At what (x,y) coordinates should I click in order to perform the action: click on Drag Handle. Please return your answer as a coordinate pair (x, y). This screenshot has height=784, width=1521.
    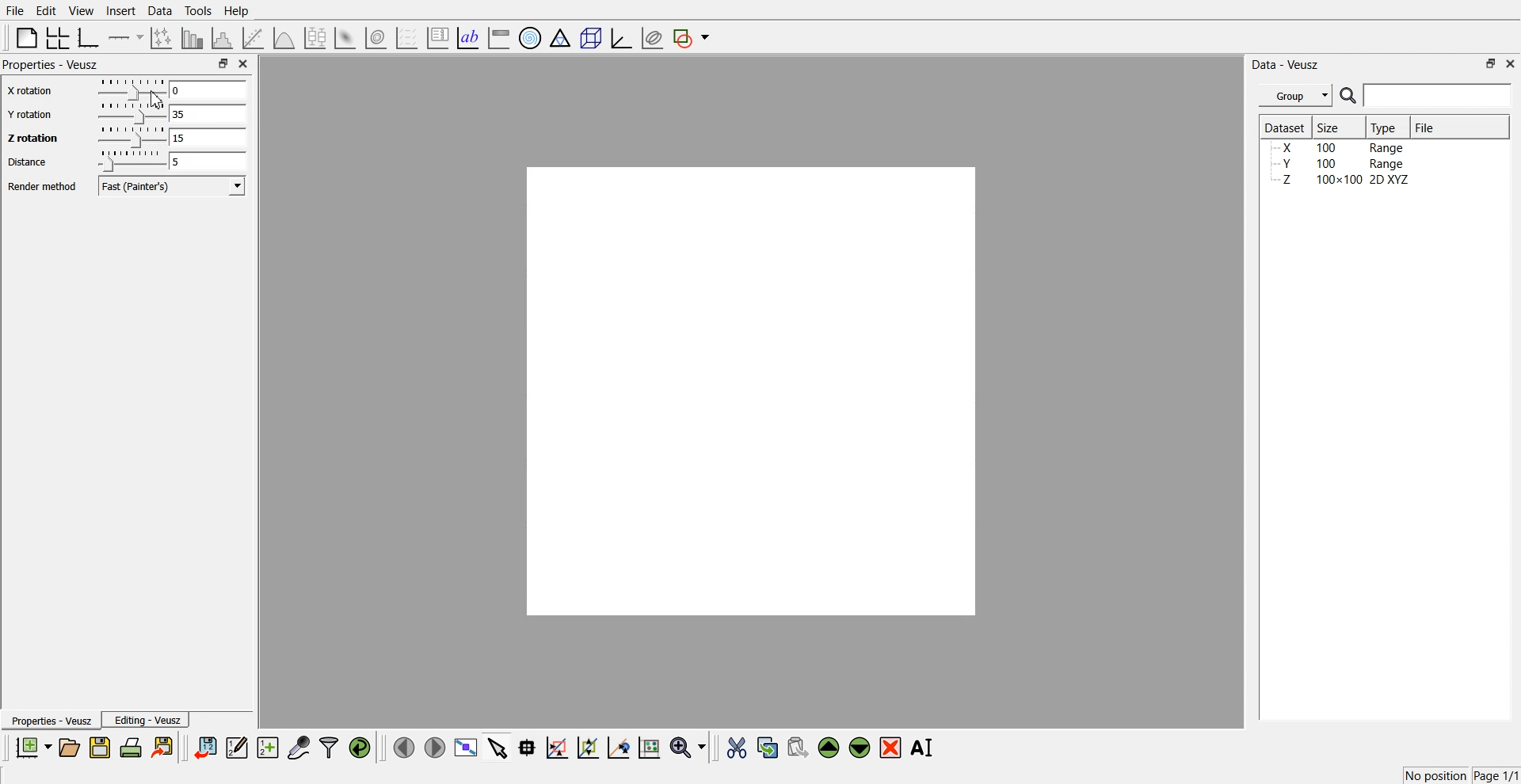
    Looking at the image, I should click on (130, 161).